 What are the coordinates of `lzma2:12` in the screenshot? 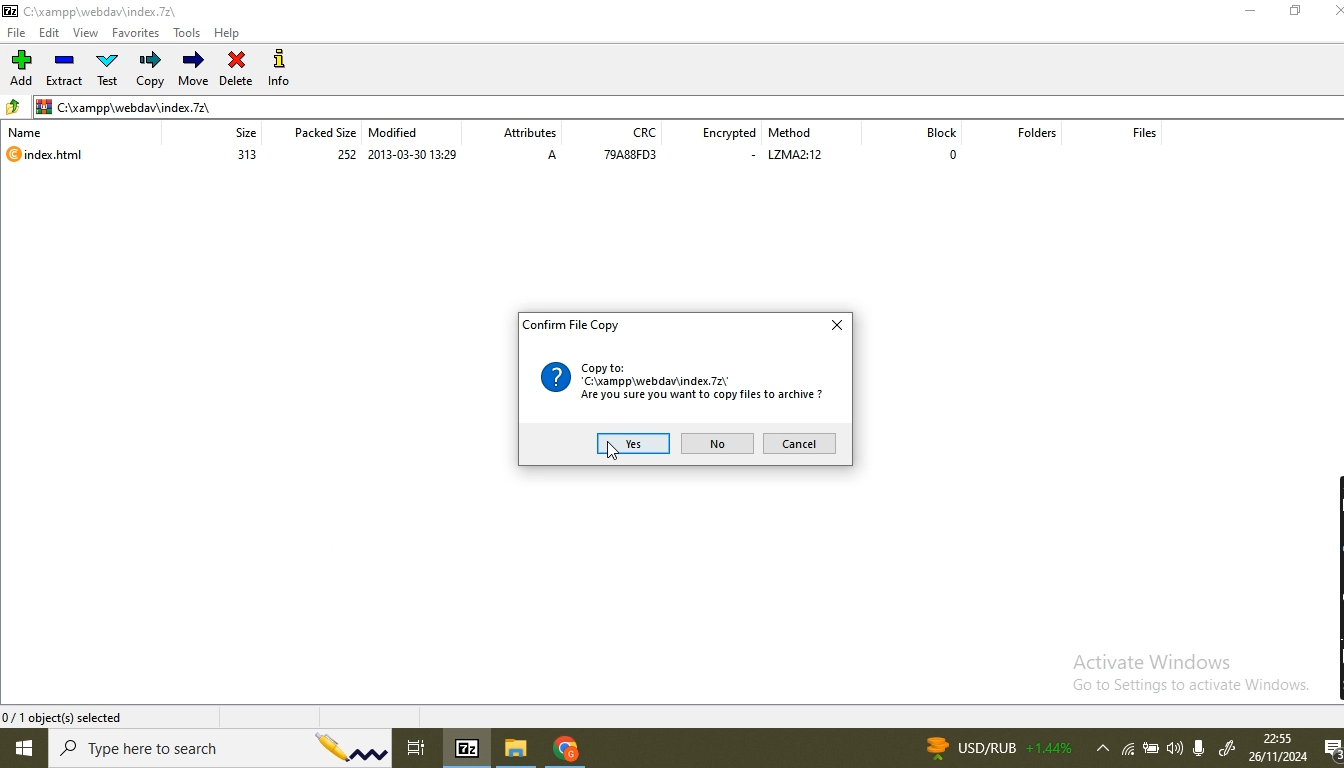 It's located at (807, 159).